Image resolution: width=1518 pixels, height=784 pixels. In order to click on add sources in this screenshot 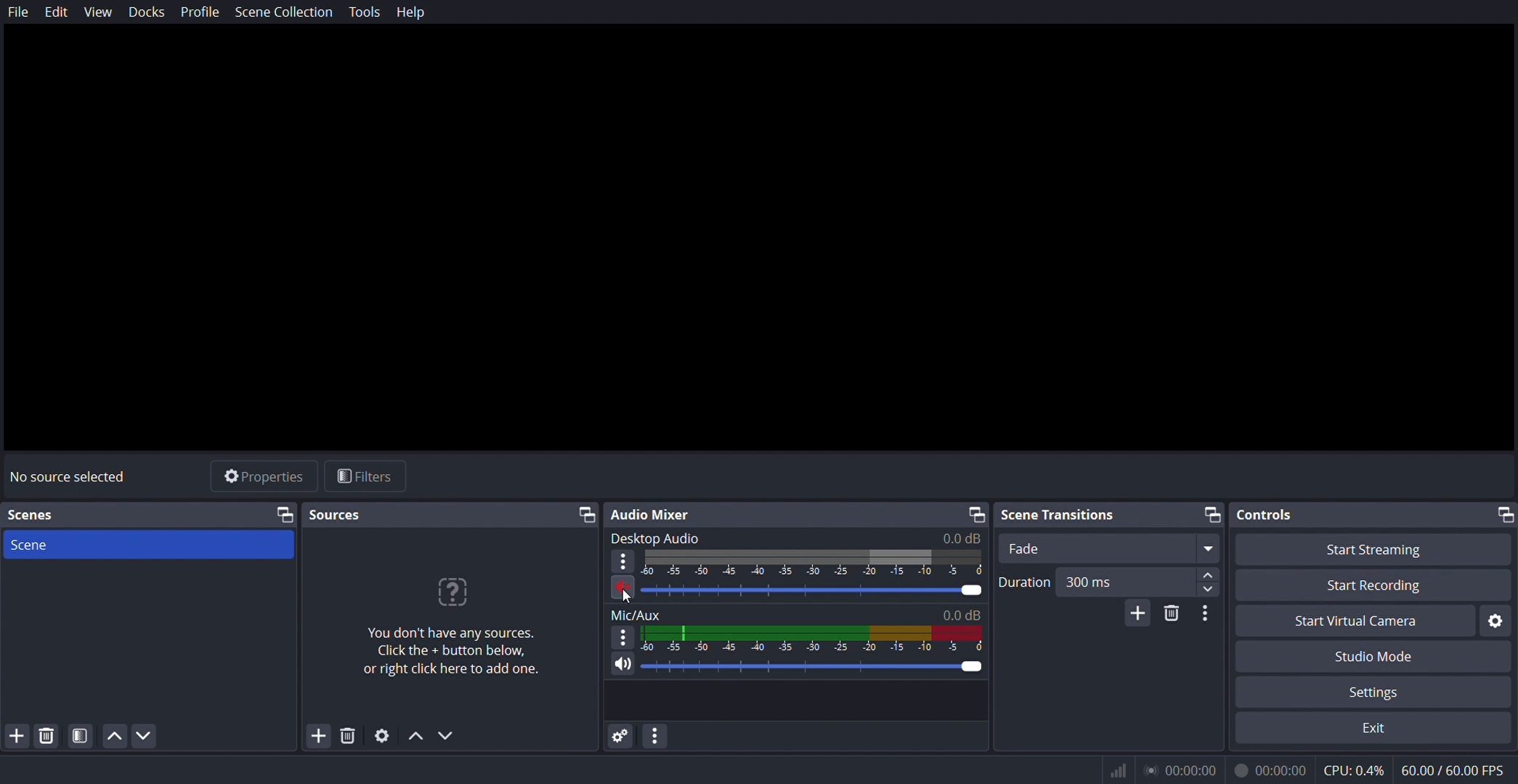, I will do `click(319, 735)`.